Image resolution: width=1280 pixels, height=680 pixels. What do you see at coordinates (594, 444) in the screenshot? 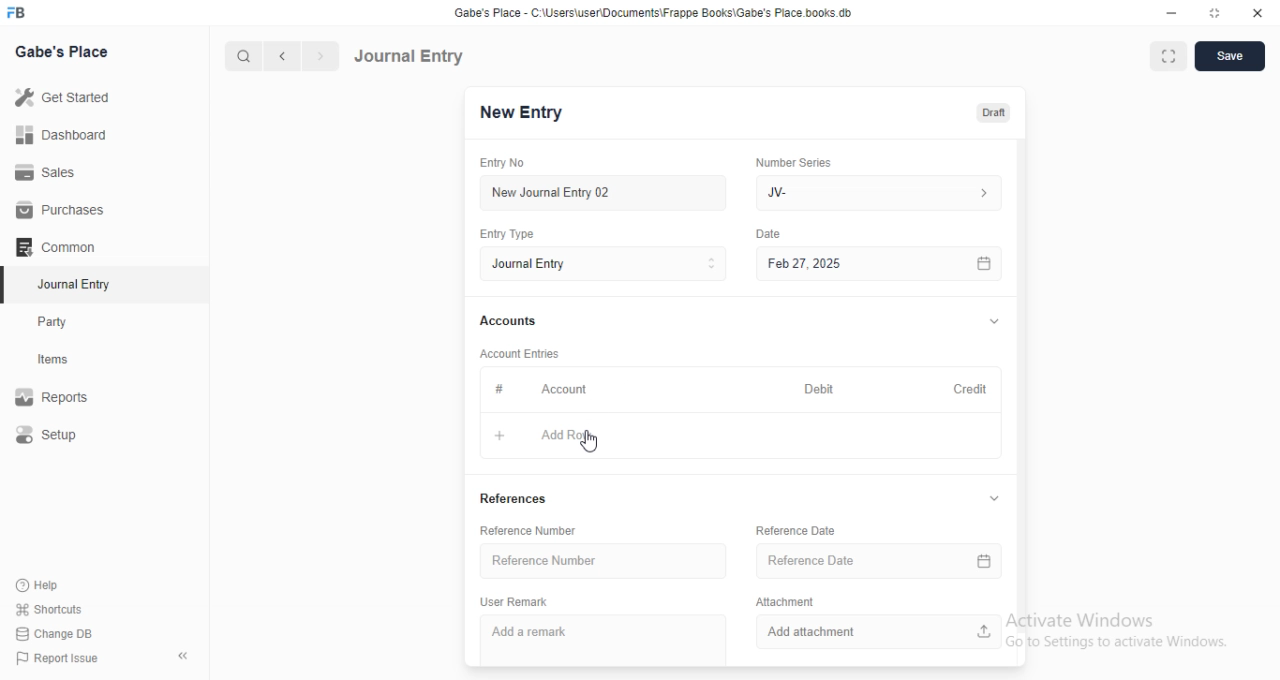
I see `cursor` at bounding box center [594, 444].